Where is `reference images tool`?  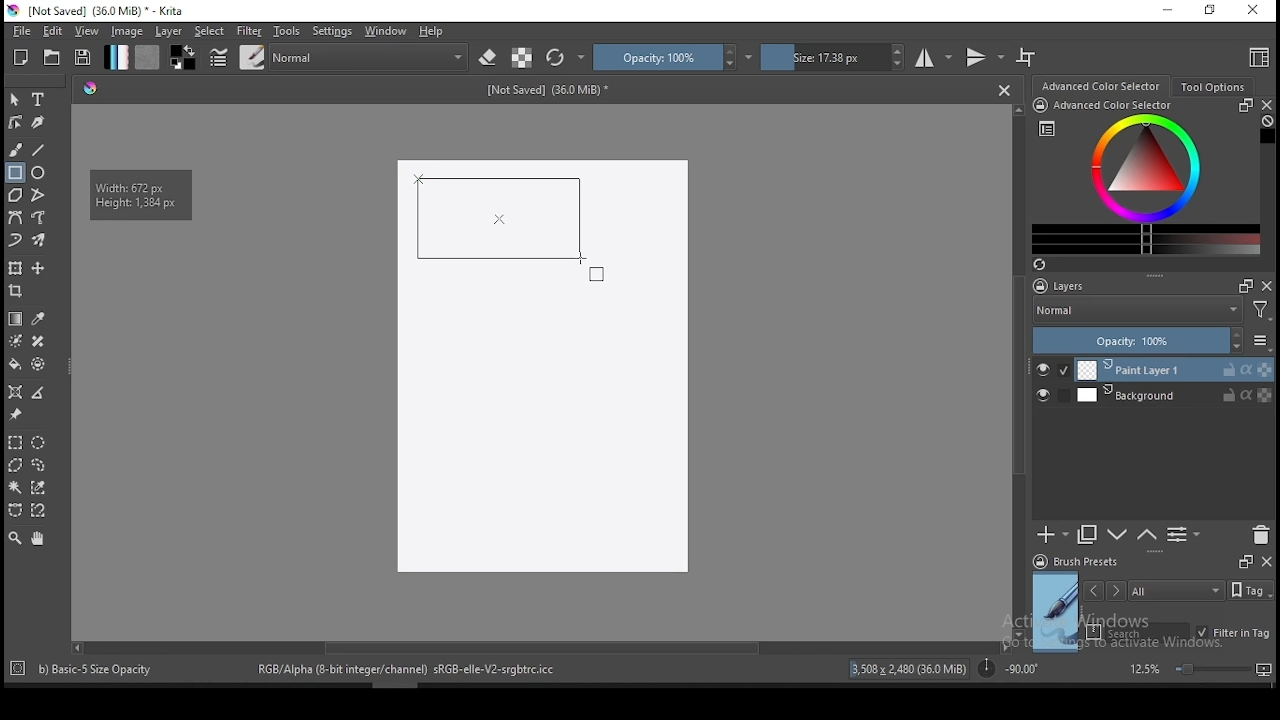
reference images tool is located at coordinates (14, 415).